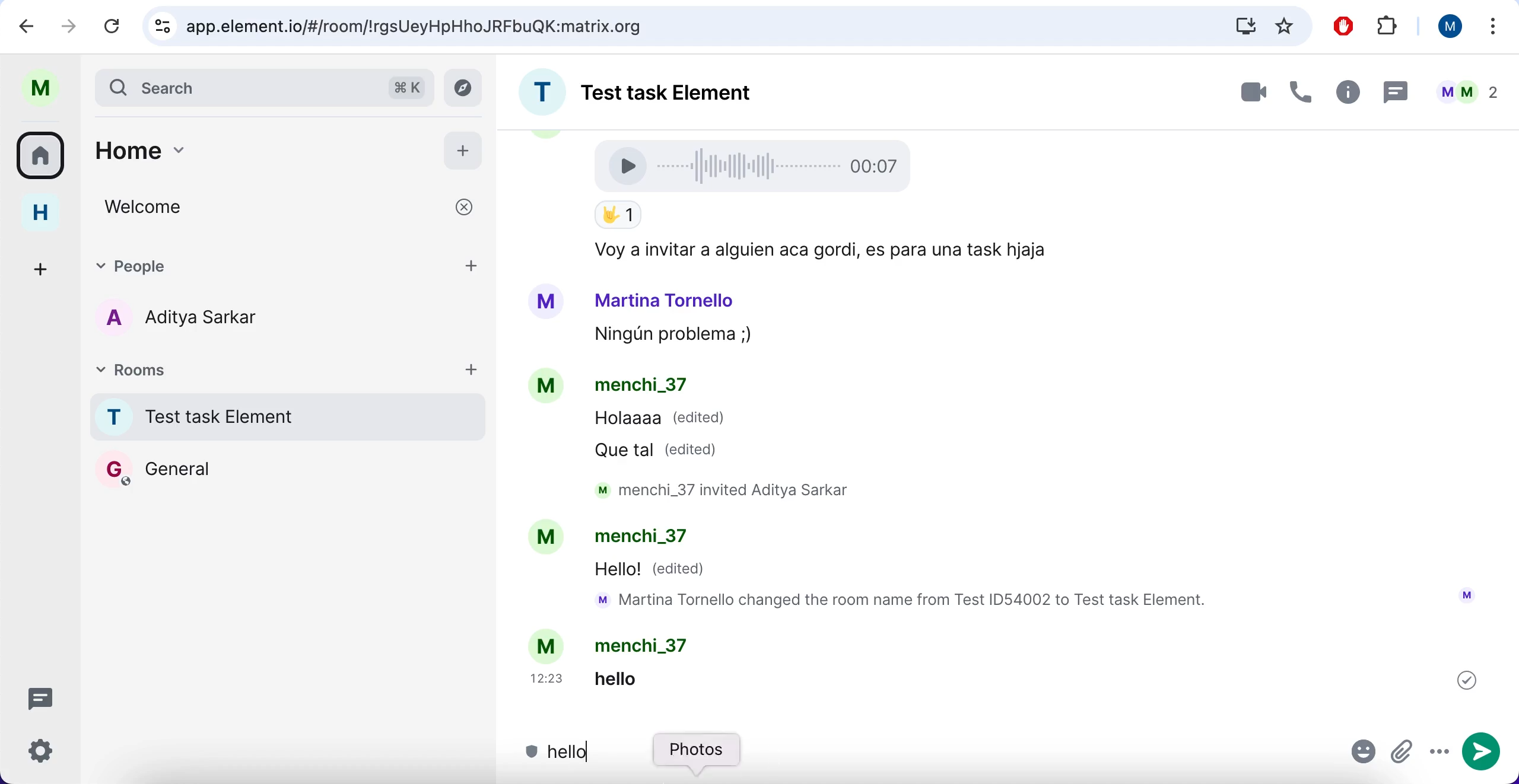 This screenshot has height=784, width=1519. I want to click on downloads, so click(1244, 26).